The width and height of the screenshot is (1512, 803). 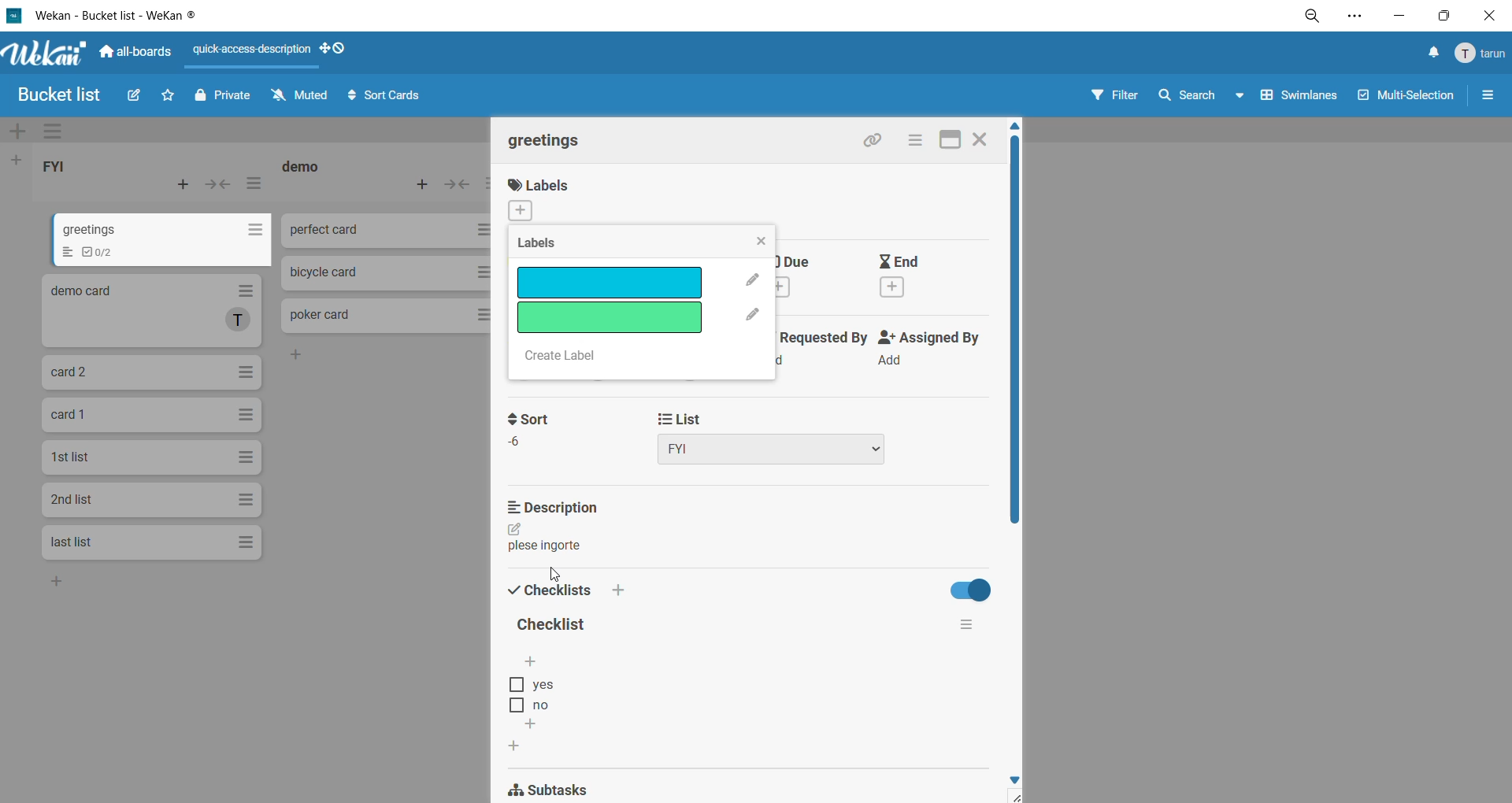 What do you see at coordinates (339, 52) in the screenshot?
I see `show desktop drag handles` at bounding box center [339, 52].